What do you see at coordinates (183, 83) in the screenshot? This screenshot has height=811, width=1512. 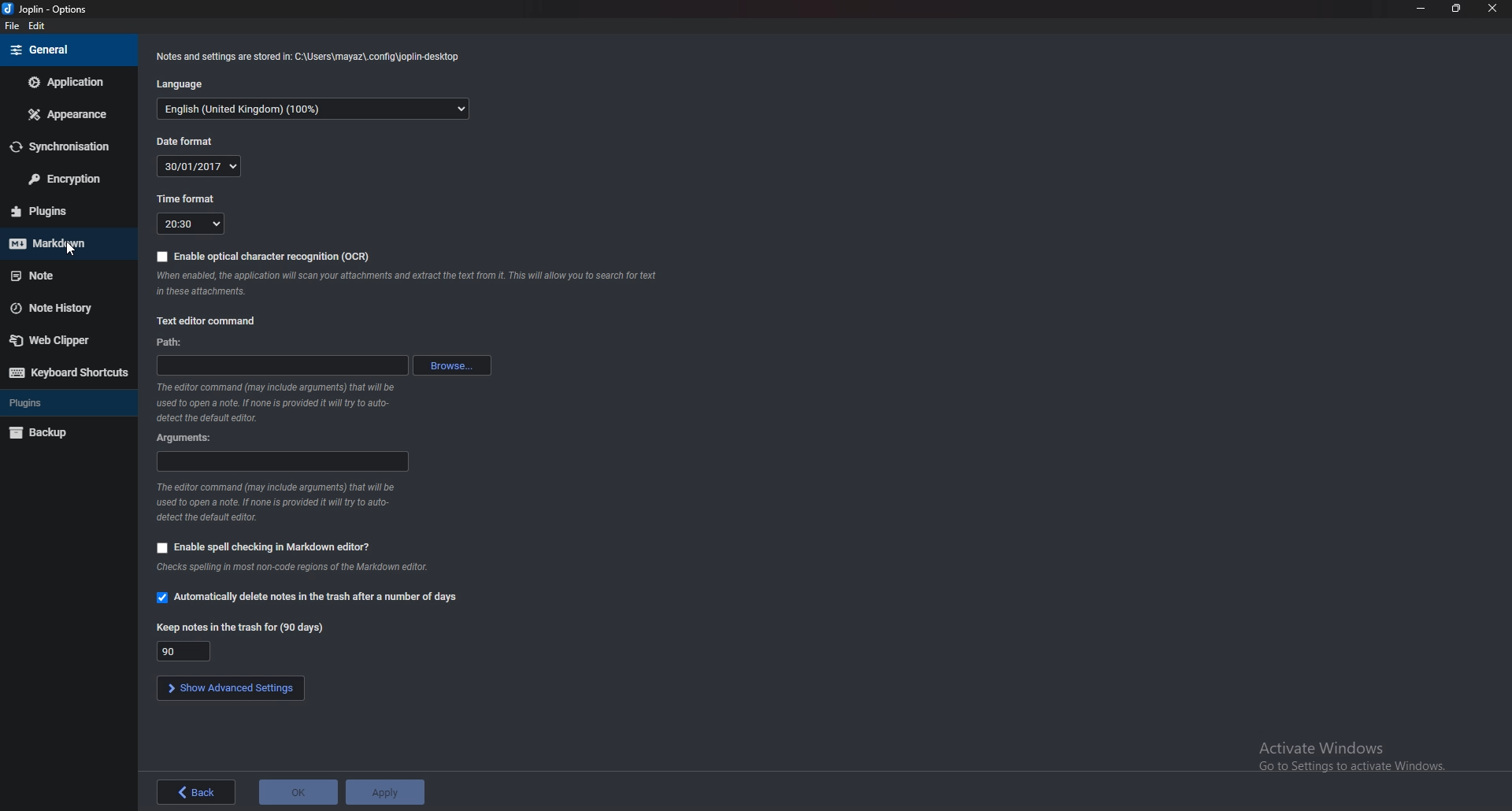 I see `Language` at bounding box center [183, 83].